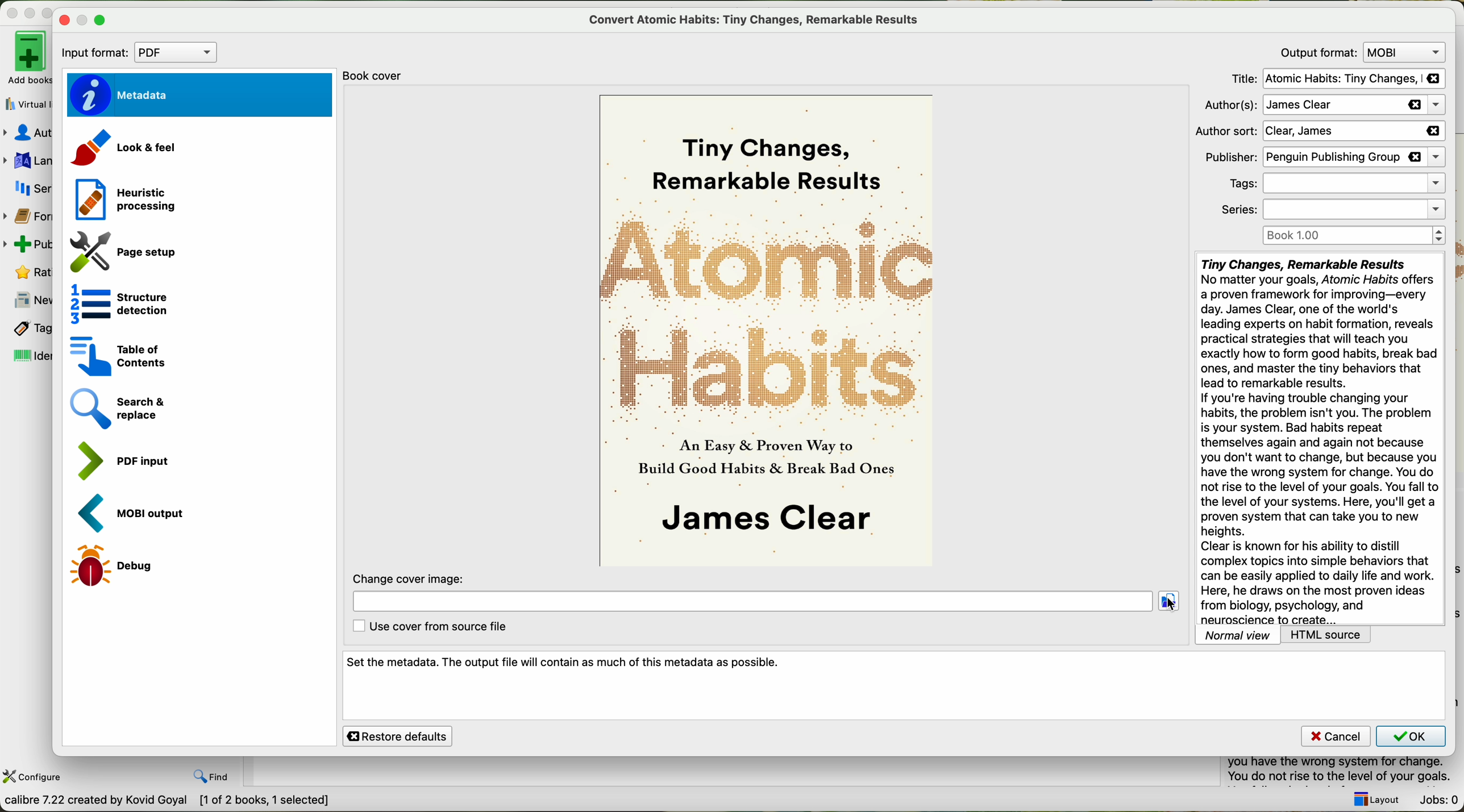 The height and width of the screenshot is (812, 1464). Describe the element at coordinates (1354, 236) in the screenshot. I see `Book 1.00` at that location.